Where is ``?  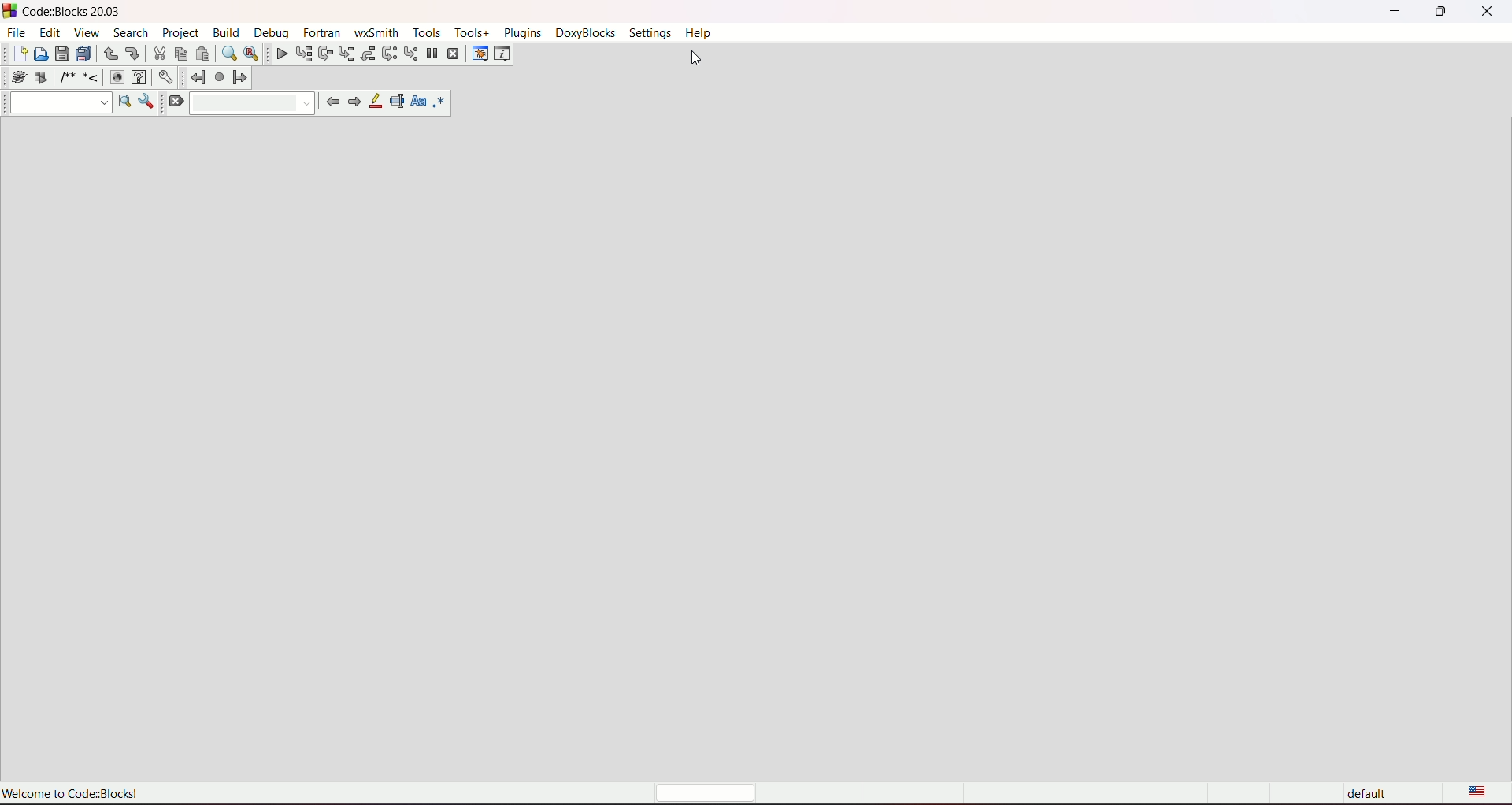  is located at coordinates (1479, 794).